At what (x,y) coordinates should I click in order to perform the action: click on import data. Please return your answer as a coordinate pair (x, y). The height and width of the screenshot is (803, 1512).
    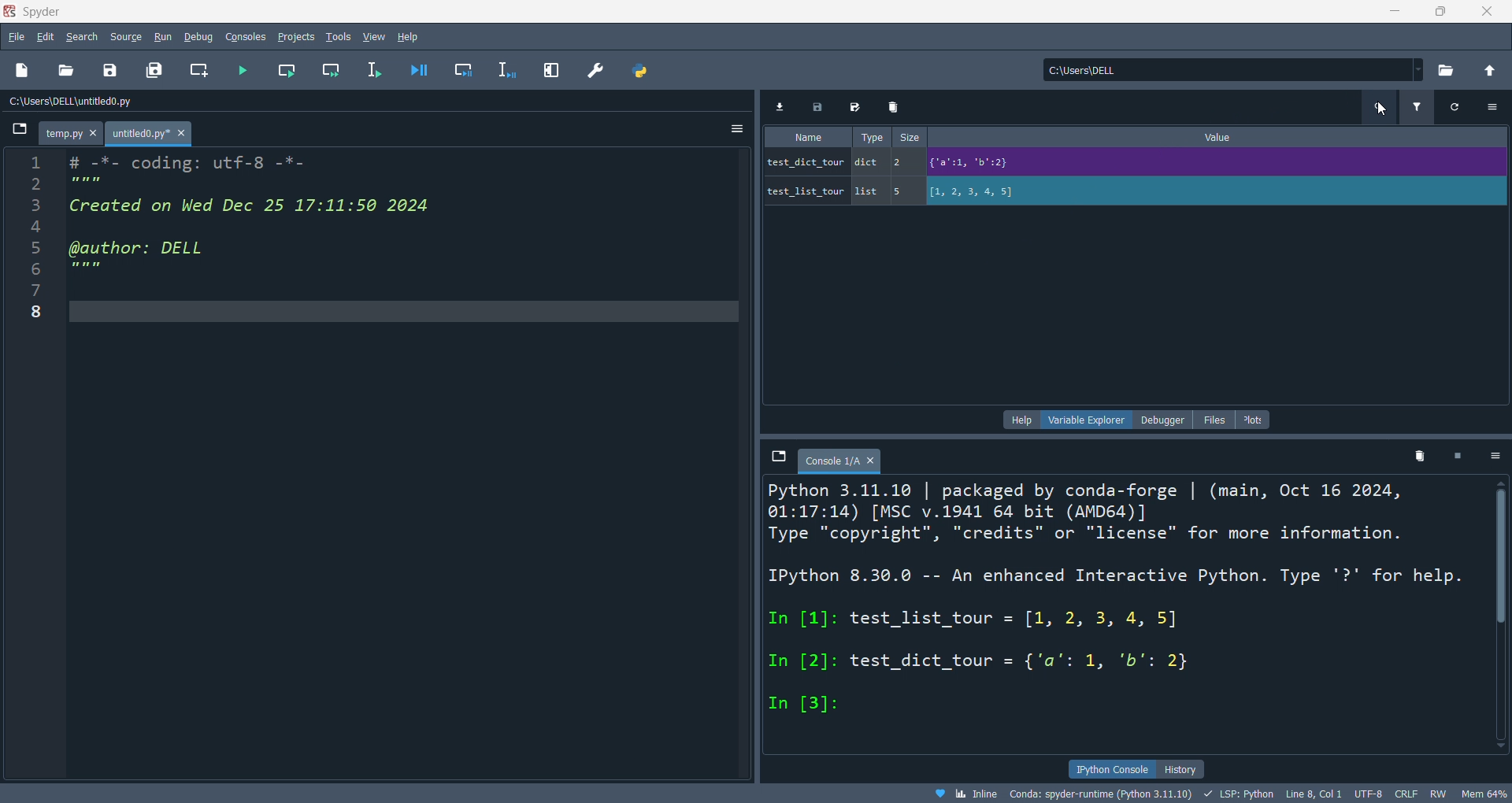
    Looking at the image, I should click on (782, 105).